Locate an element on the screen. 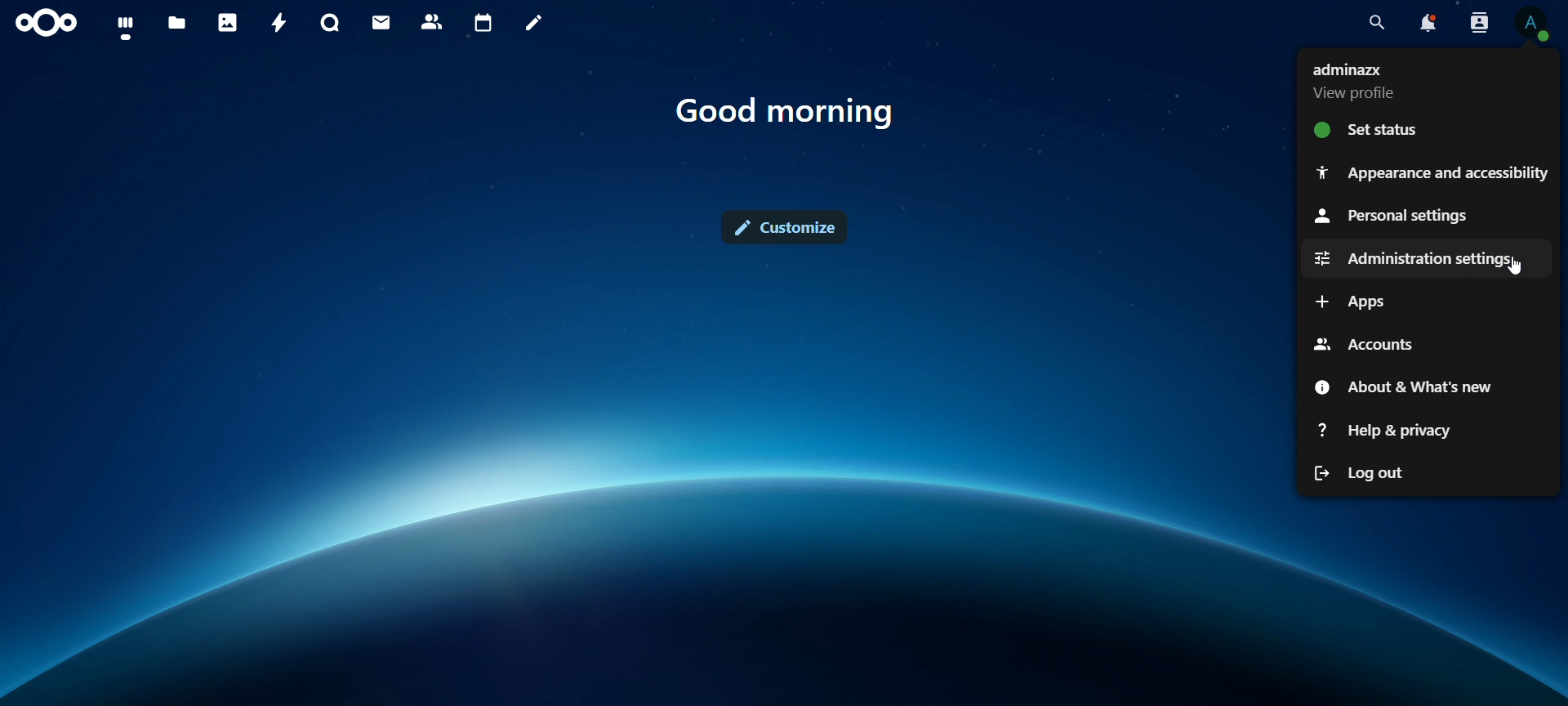 Image resolution: width=1568 pixels, height=706 pixels. contact is located at coordinates (435, 23).